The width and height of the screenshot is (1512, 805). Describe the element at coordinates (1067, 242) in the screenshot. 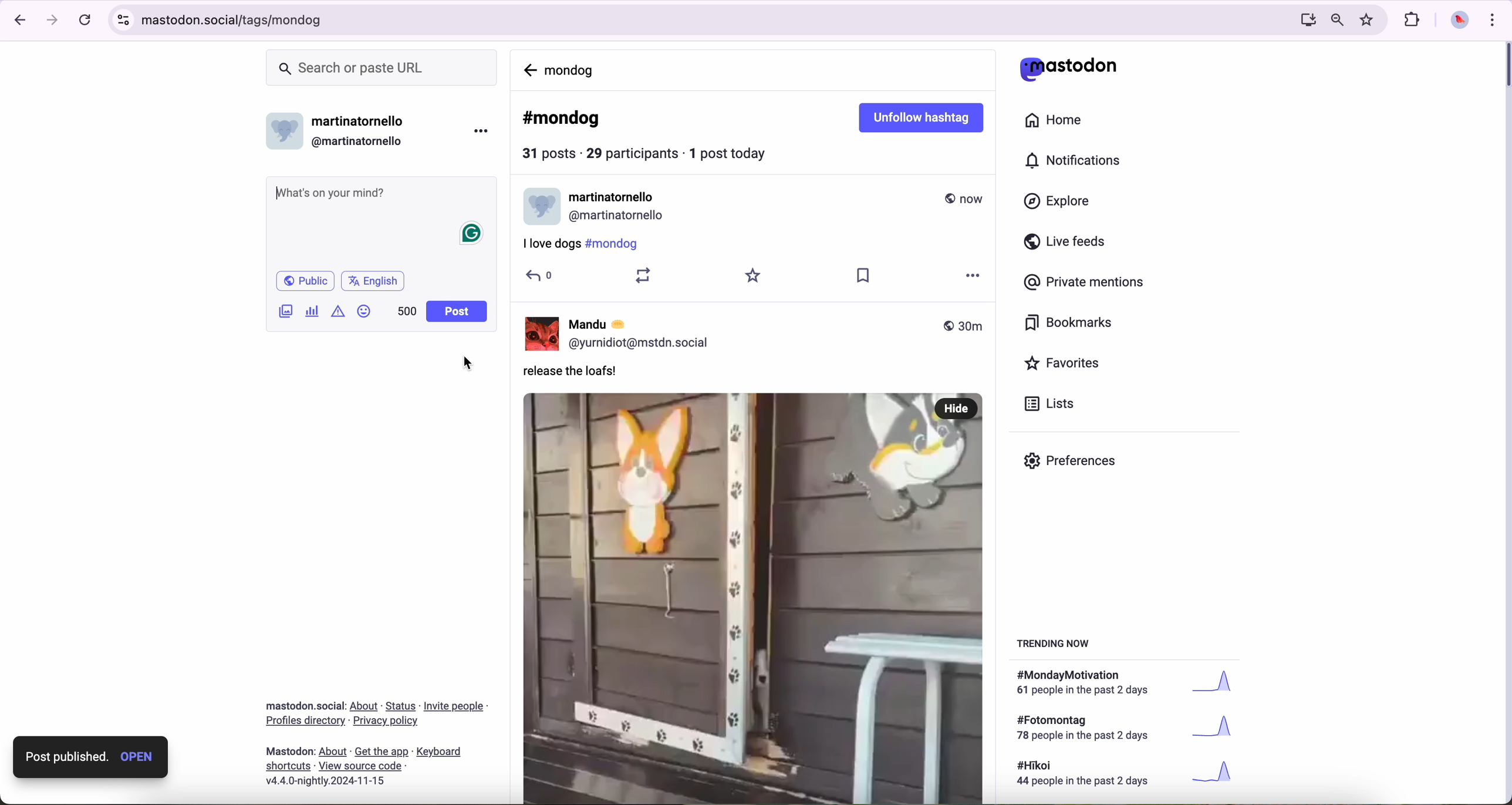

I see `live feeds` at that location.